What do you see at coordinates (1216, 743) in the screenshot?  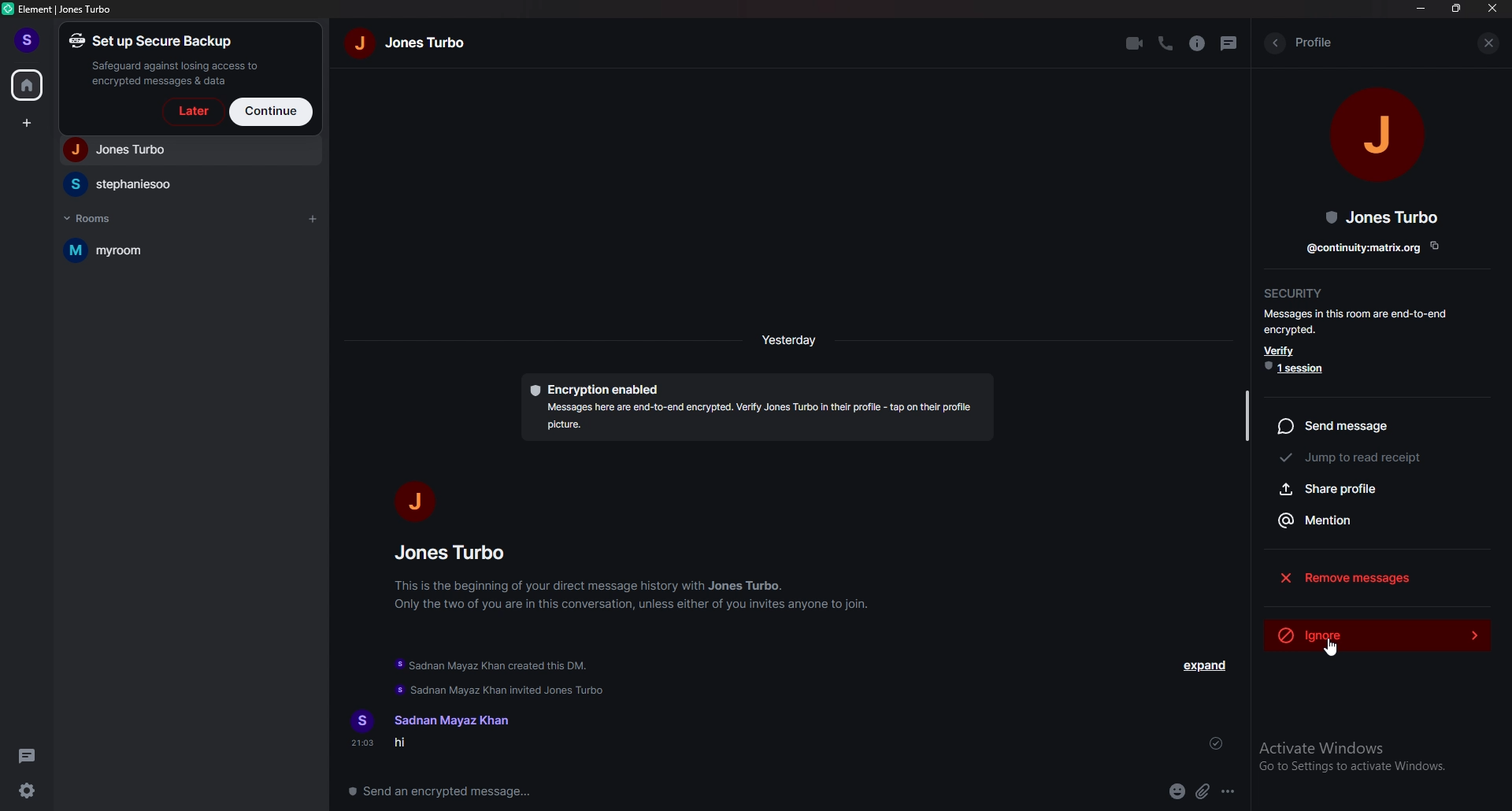 I see `sent` at bounding box center [1216, 743].